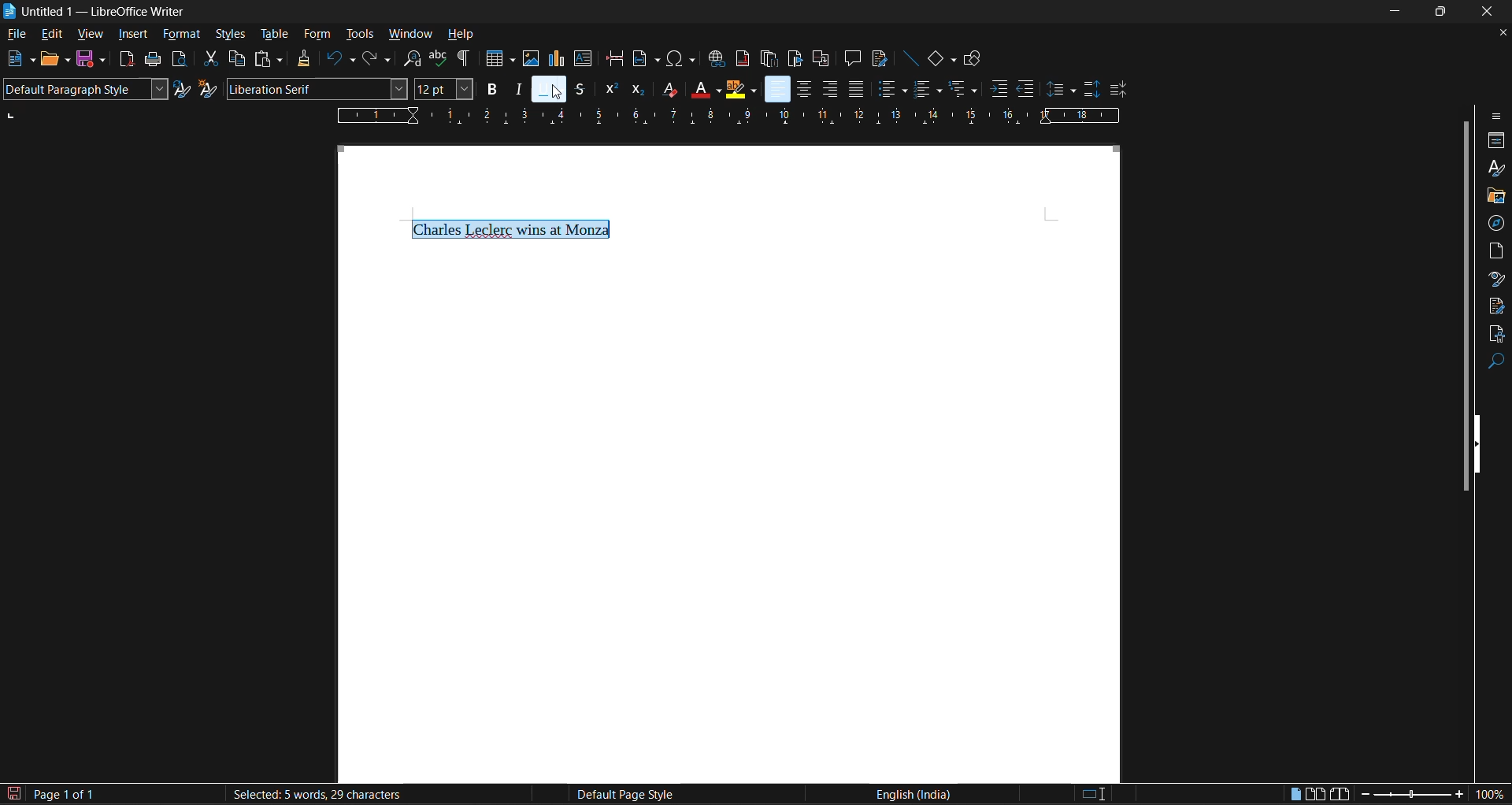 The image size is (1512, 805). What do you see at coordinates (495, 58) in the screenshot?
I see `insert table` at bounding box center [495, 58].